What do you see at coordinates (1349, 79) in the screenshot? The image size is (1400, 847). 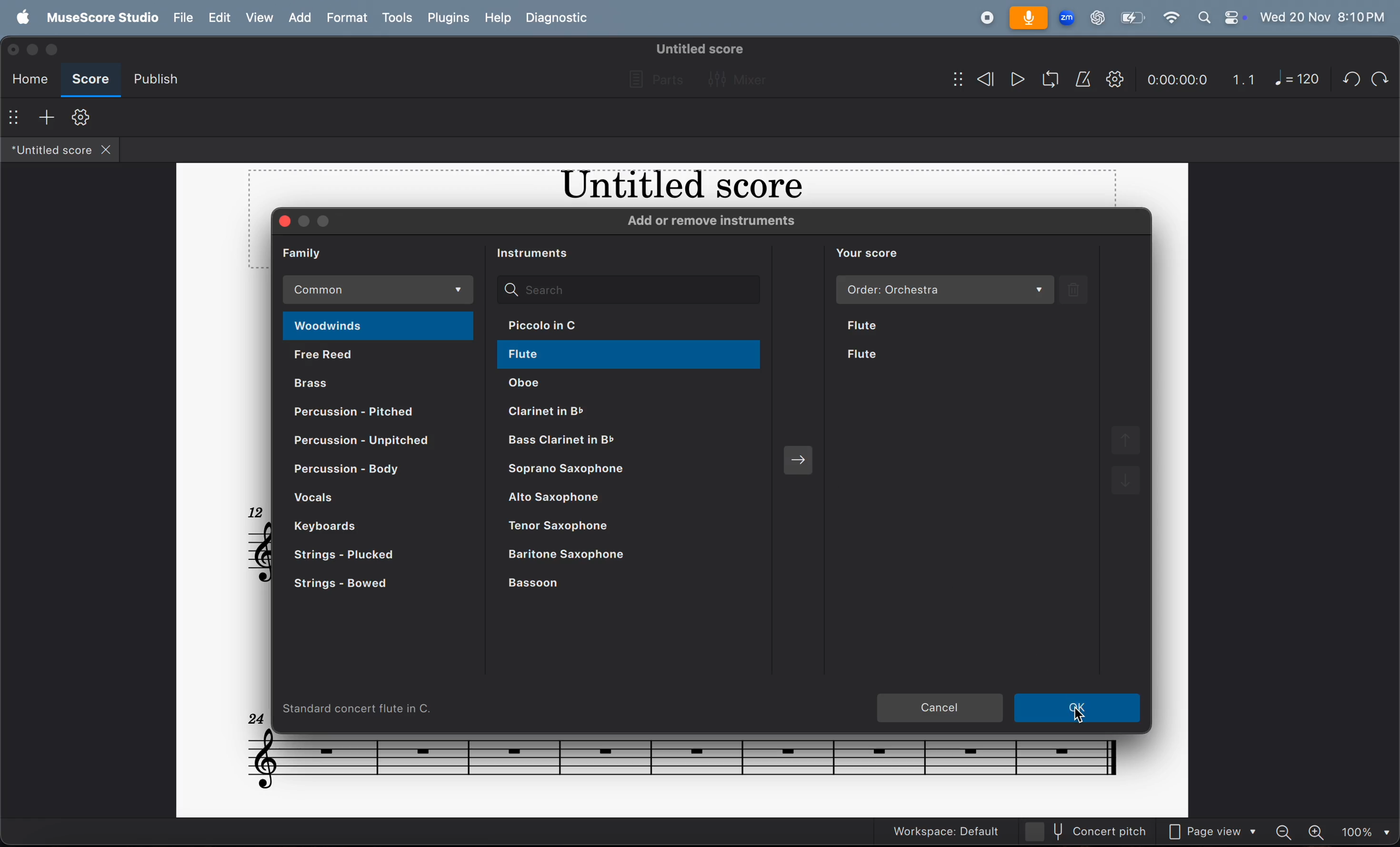 I see `undo` at bounding box center [1349, 79].